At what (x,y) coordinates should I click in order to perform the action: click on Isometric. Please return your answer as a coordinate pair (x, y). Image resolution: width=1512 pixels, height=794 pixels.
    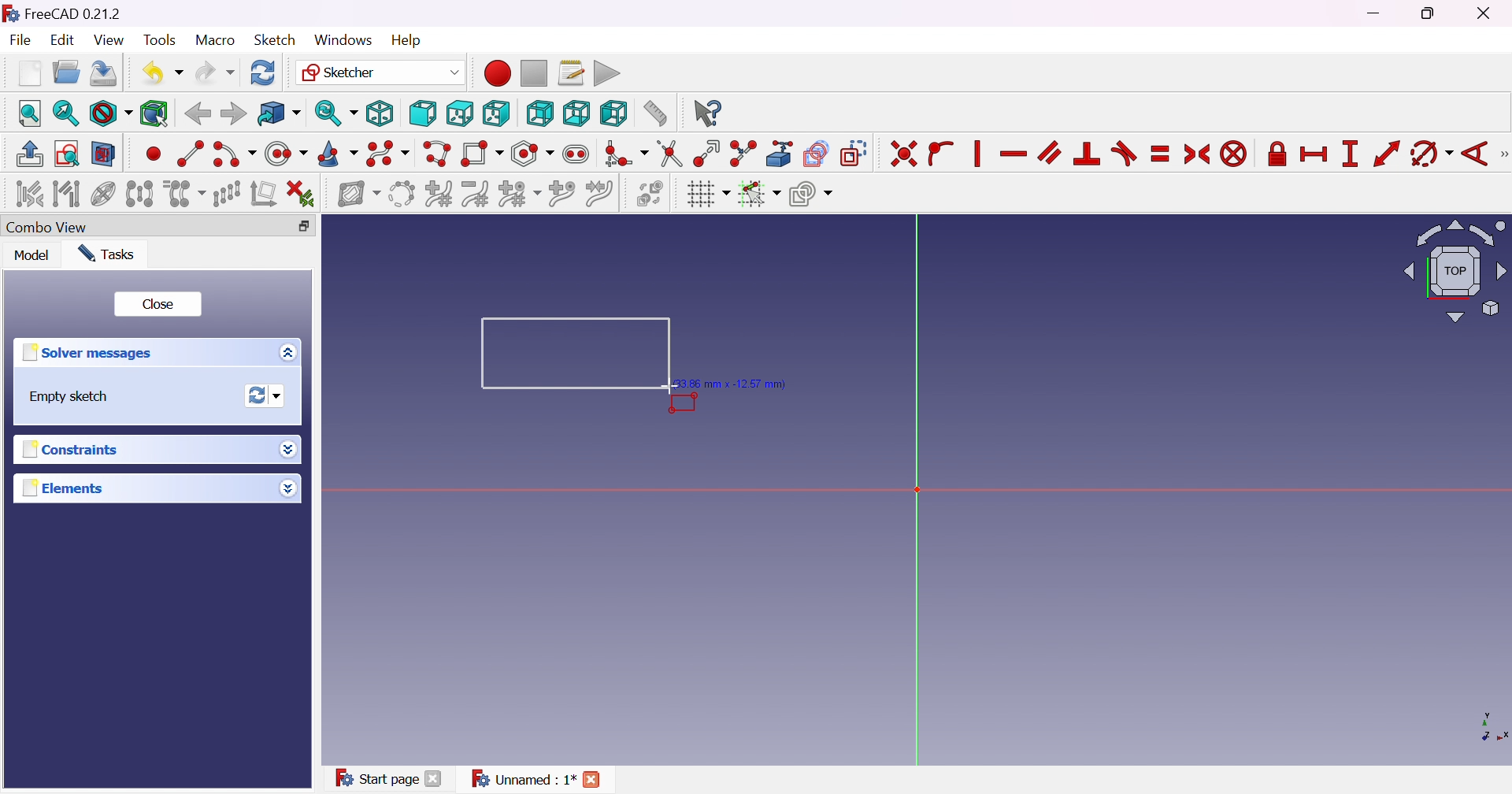
    Looking at the image, I should click on (380, 113).